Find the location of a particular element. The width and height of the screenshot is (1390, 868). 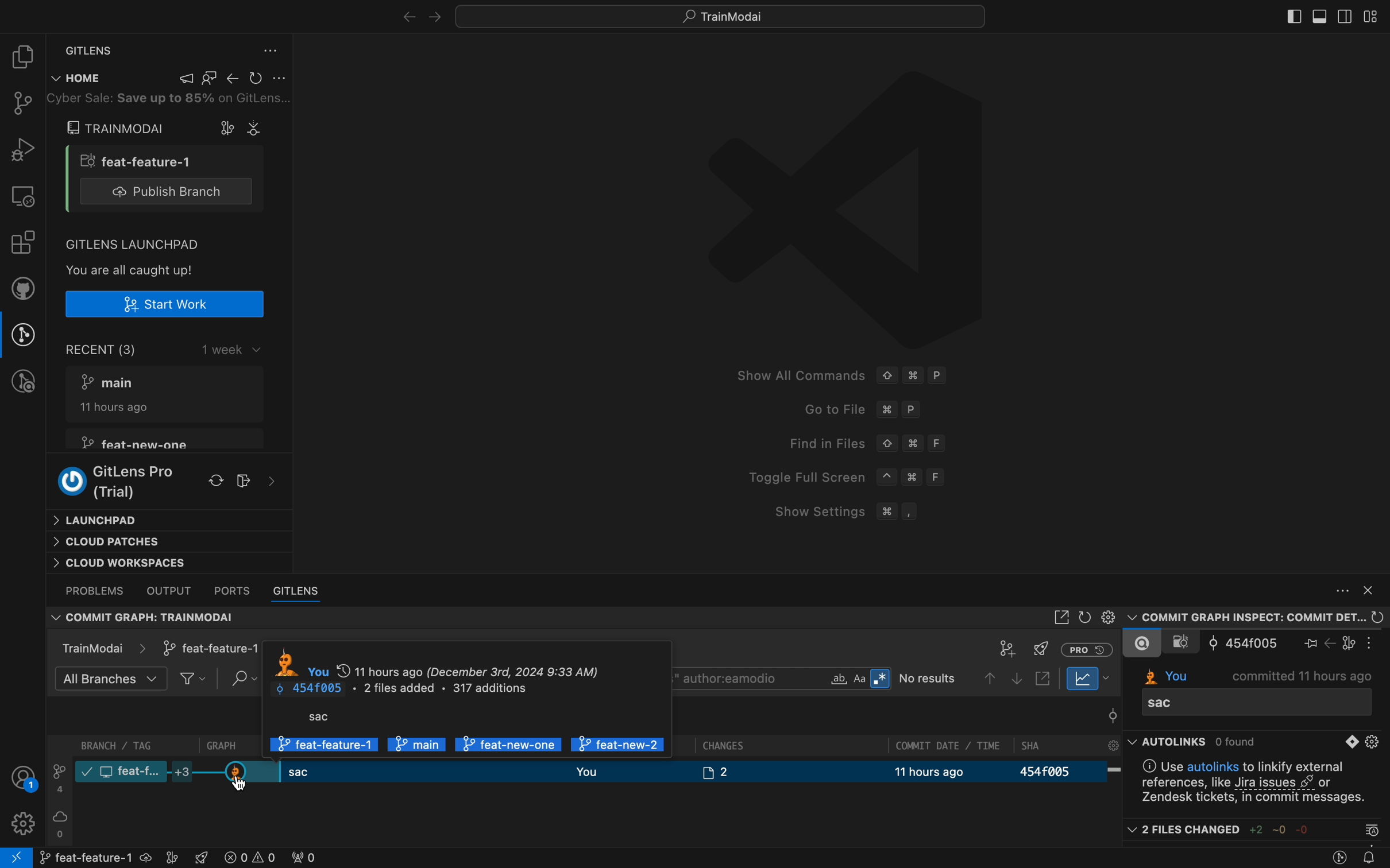

selected branch is located at coordinates (213, 649).